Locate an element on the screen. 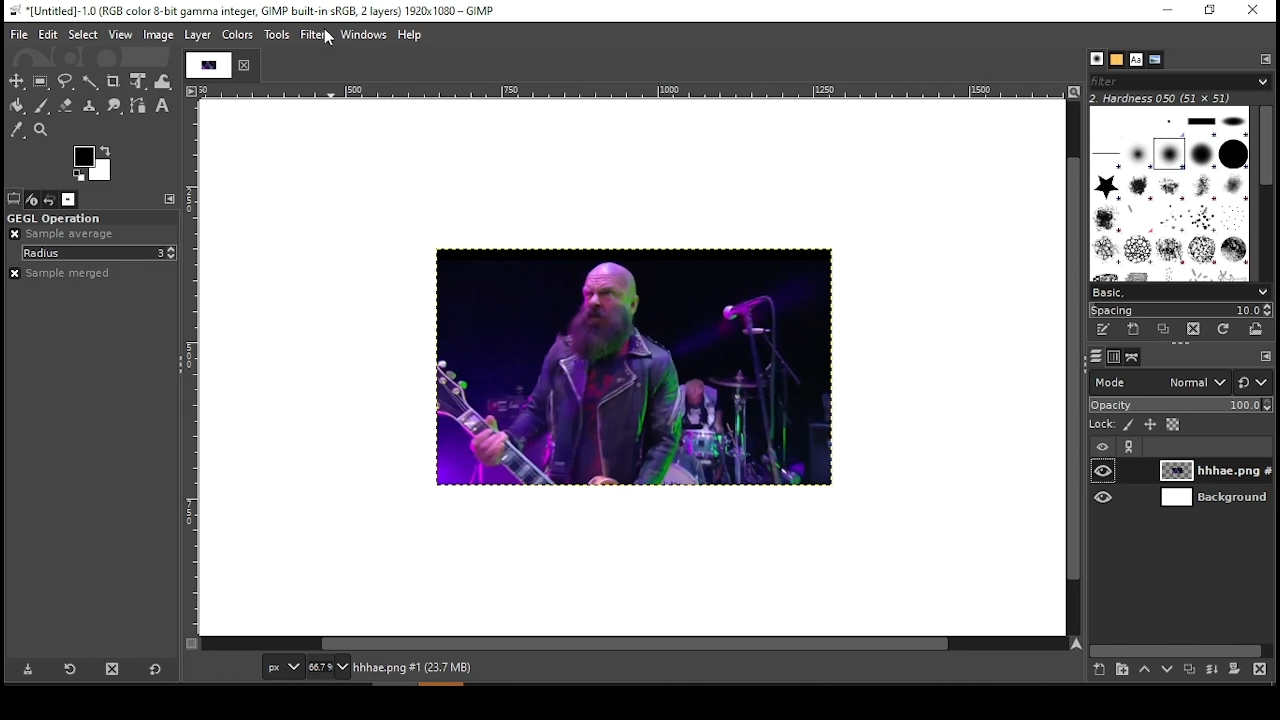 The width and height of the screenshot is (1280, 720). spacing is located at coordinates (1185, 311).